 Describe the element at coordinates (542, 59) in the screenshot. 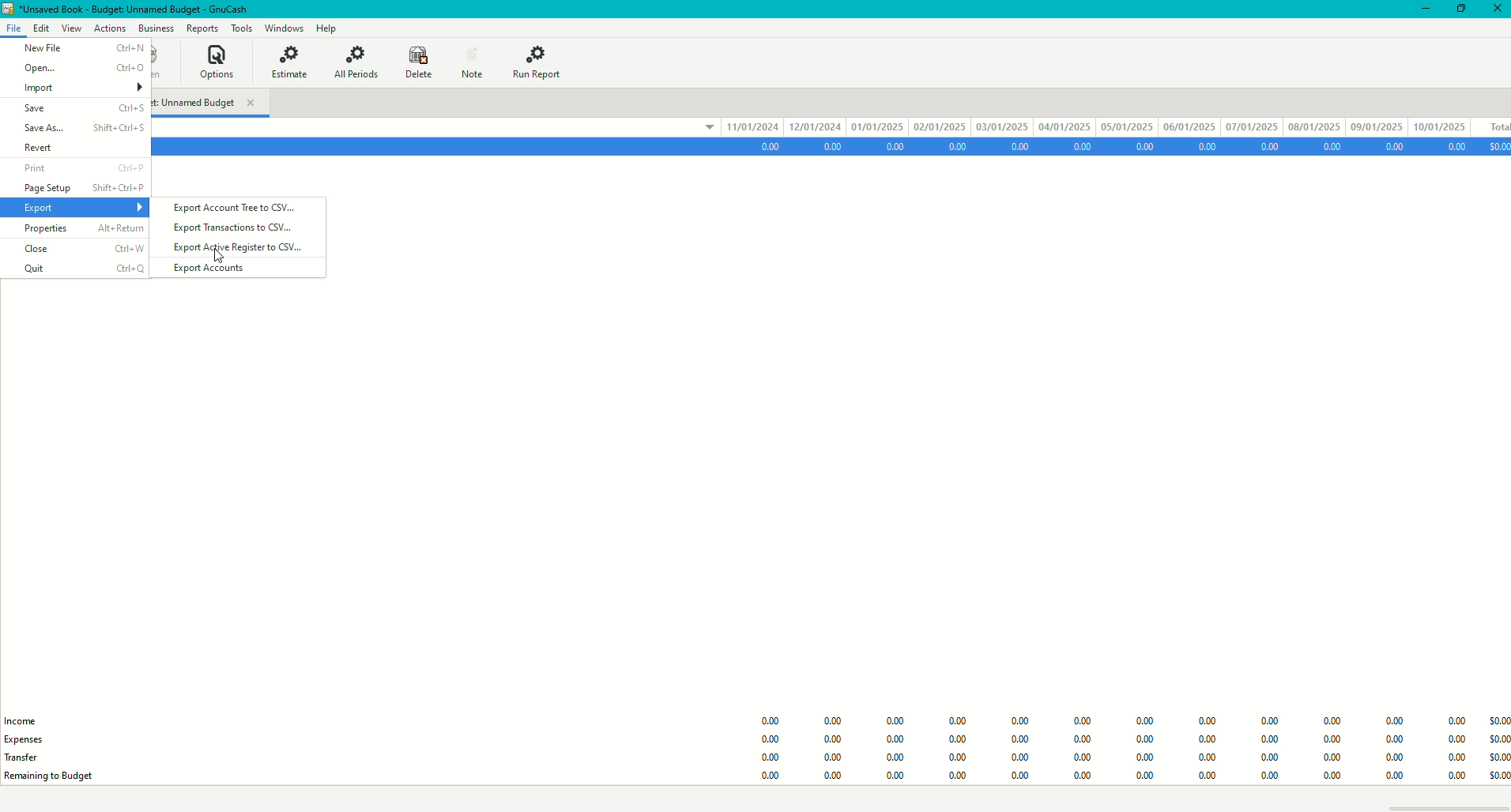

I see `Run Report` at that location.